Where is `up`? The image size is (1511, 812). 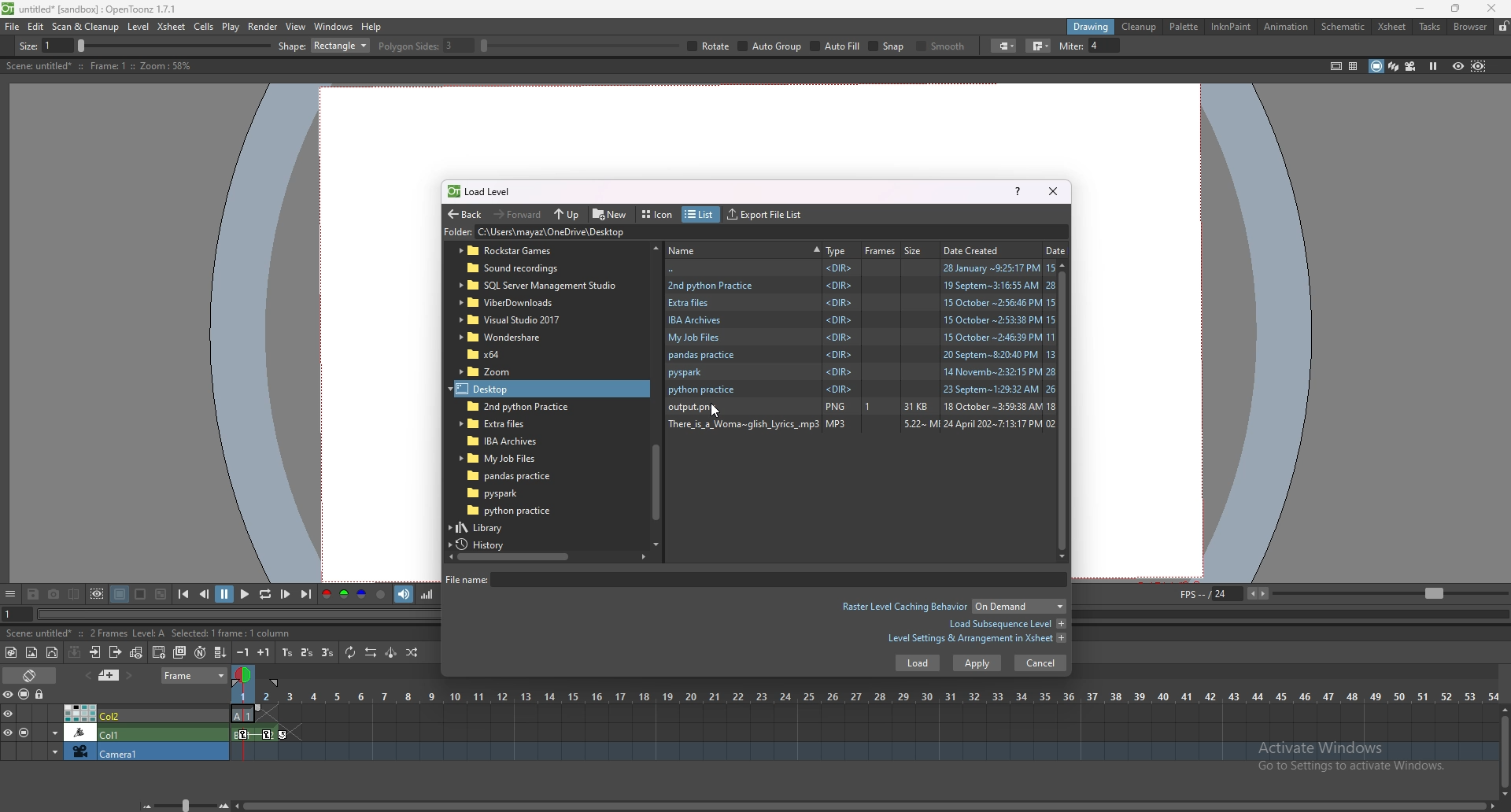 up is located at coordinates (567, 215).